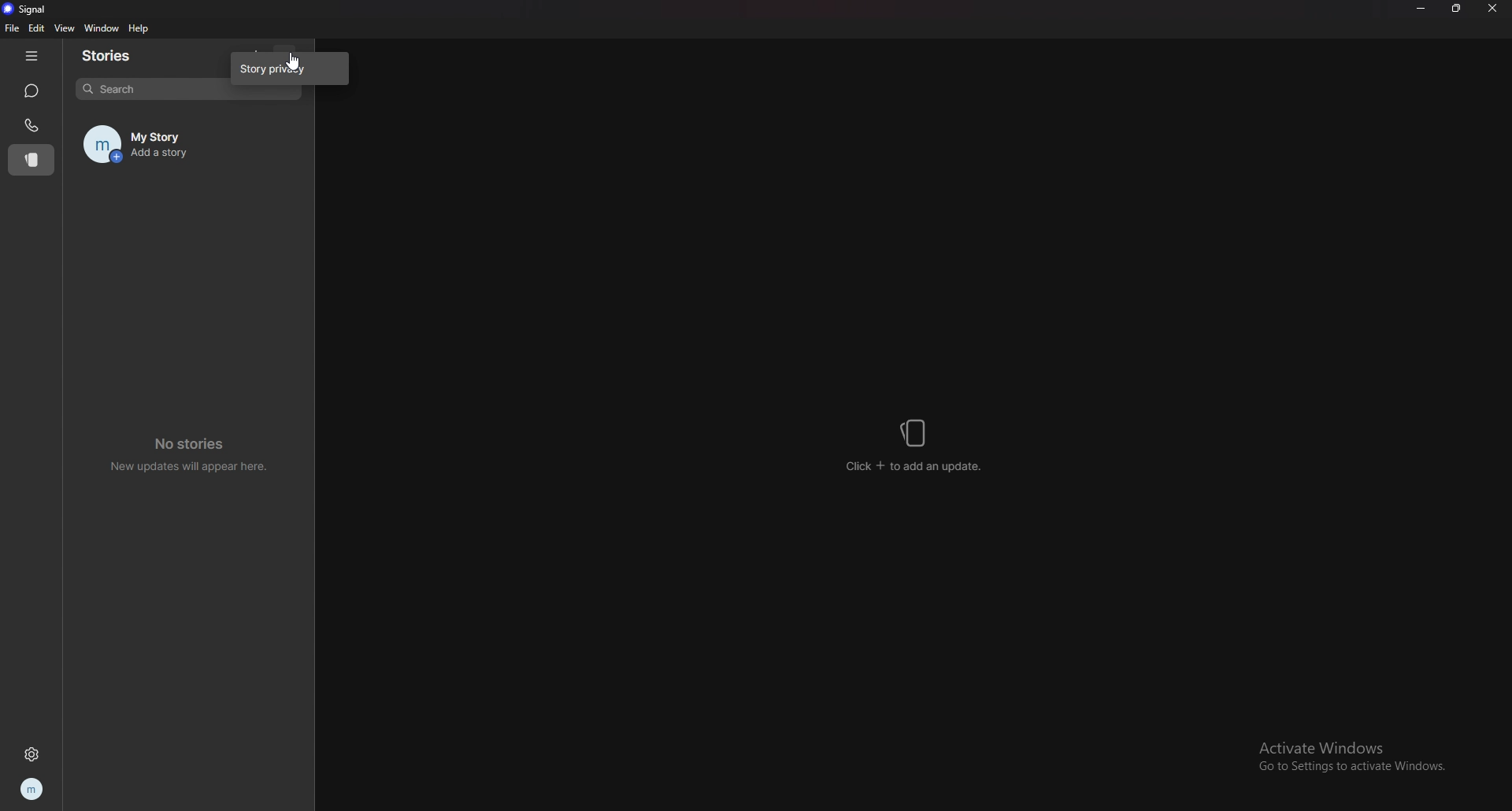 The height and width of the screenshot is (811, 1512). I want to click on chats, so click(32, 91).